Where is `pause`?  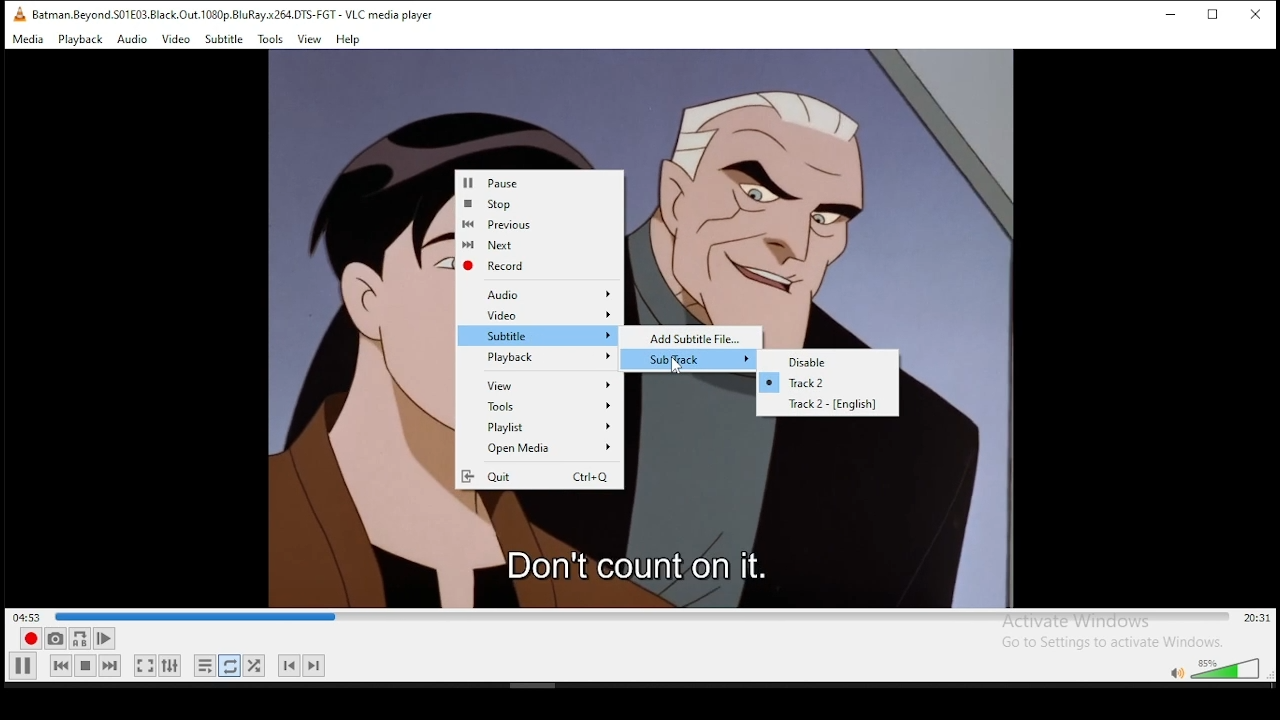
pause is located at coordinates (85, 668).